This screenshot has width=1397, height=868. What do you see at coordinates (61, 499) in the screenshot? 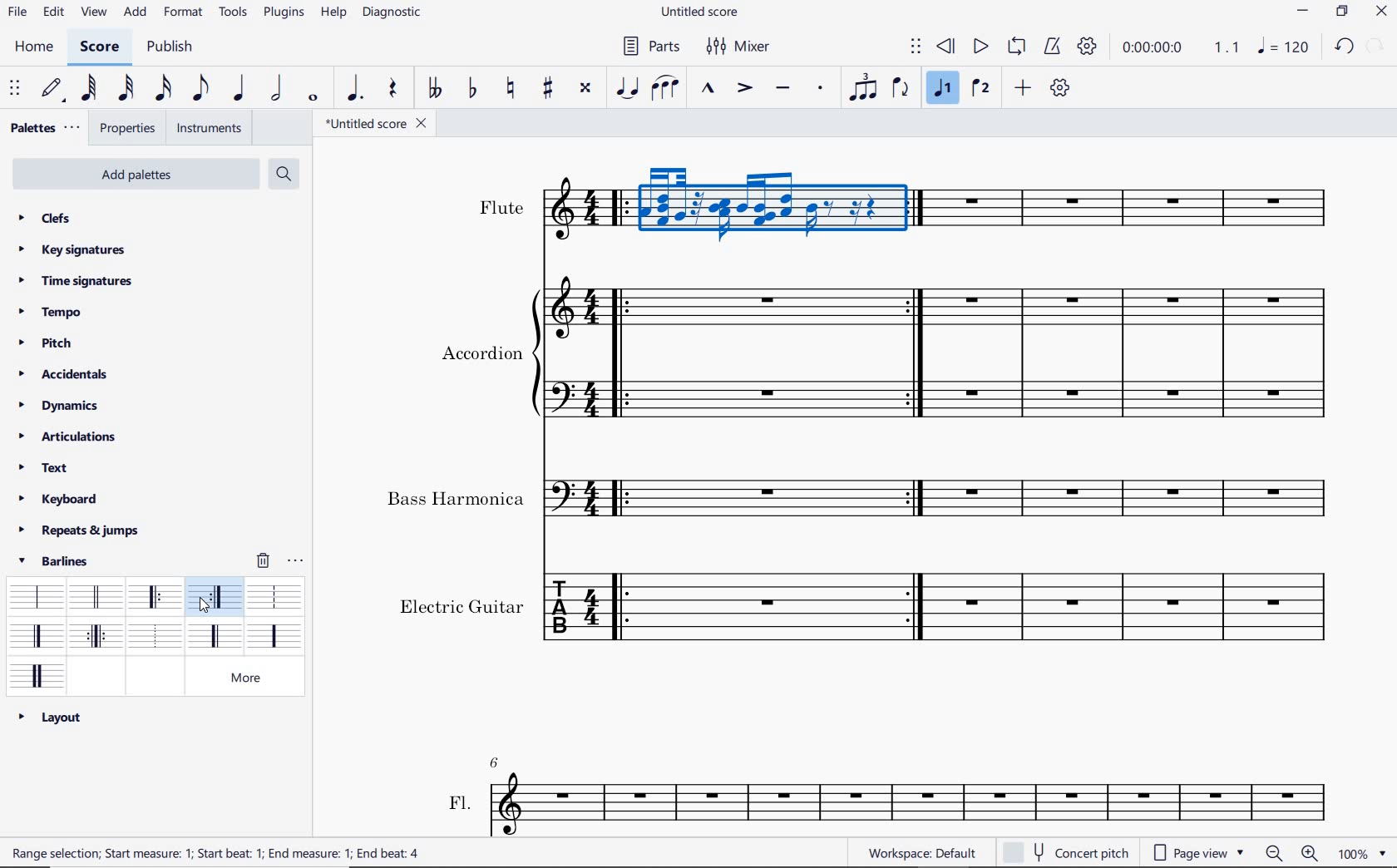
I see `keyboard` at bounding box center [61, 499].